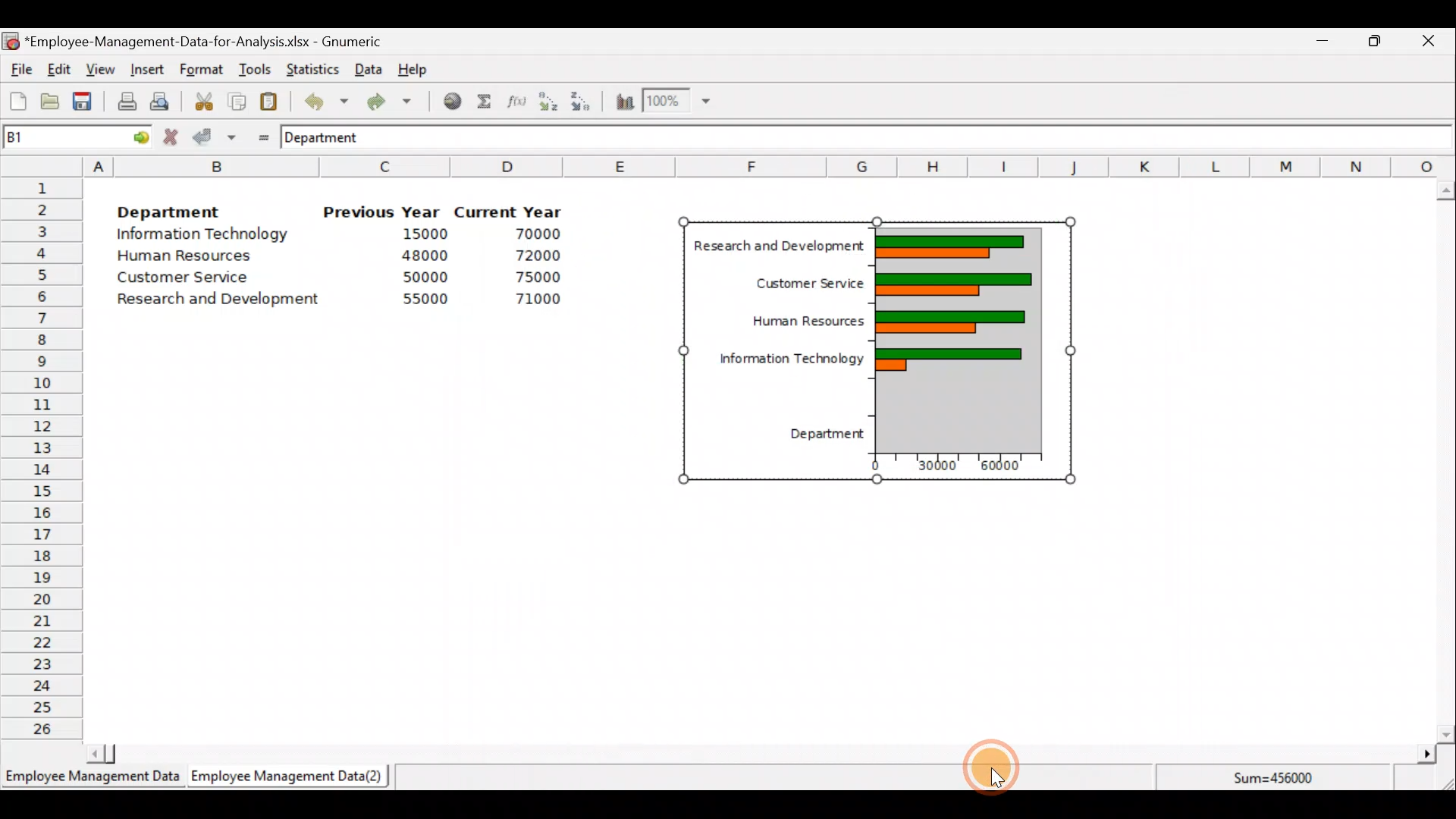  What do you see at coordinates (318, 98) in the screenshot?
I see `Undo last action` at bounding box center [318, 98].